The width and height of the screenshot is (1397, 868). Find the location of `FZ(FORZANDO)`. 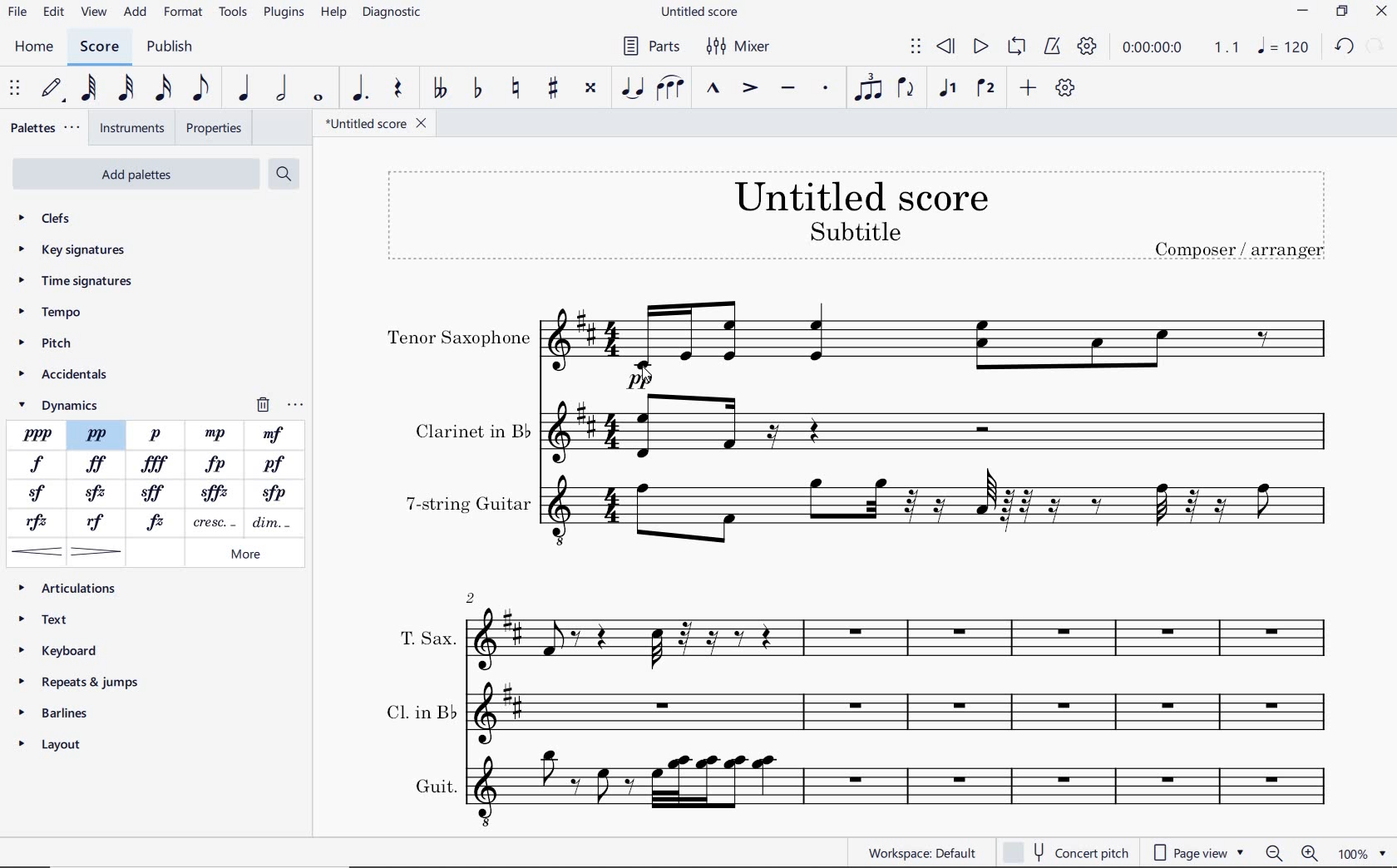

FZ(FORZANDO) is located at coordinates (157, 521).